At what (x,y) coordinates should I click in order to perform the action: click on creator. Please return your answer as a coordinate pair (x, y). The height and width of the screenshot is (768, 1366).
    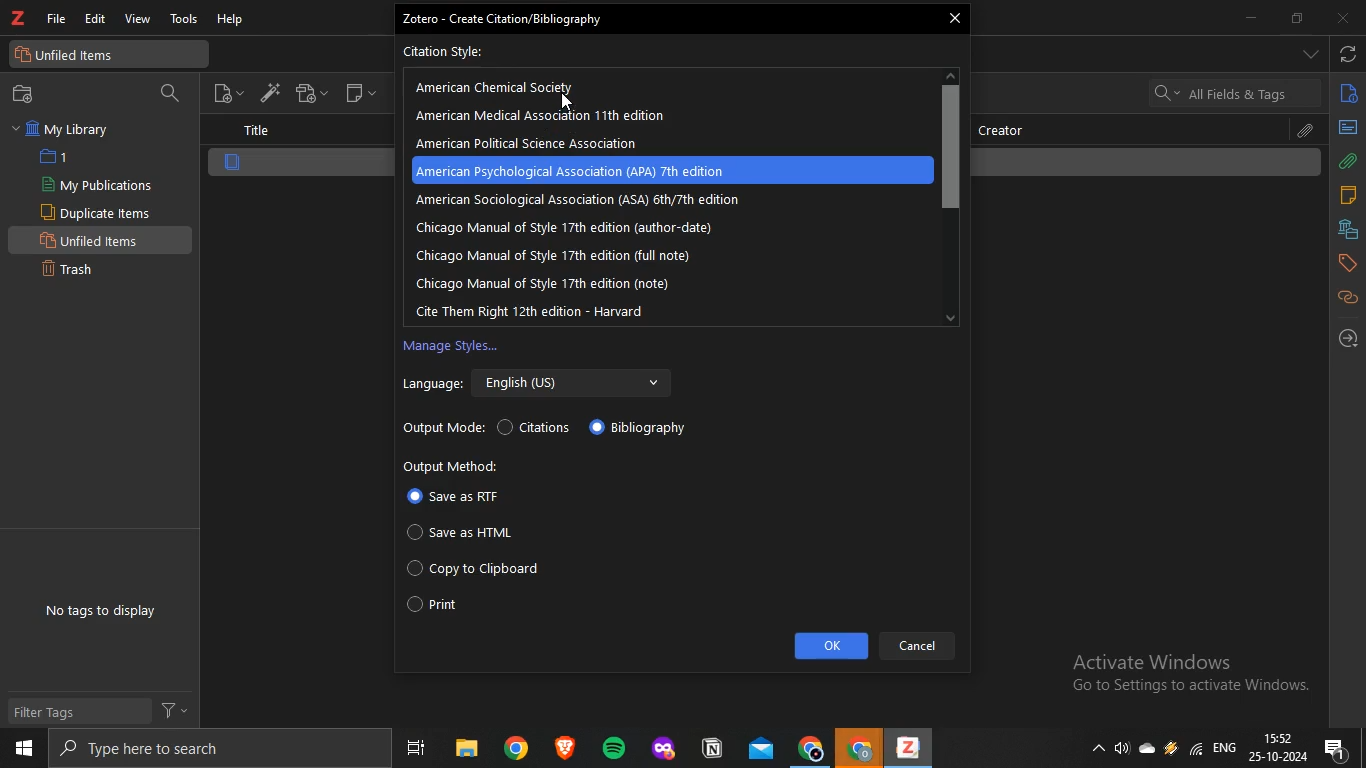
    Looking at the image, I should click on (1009, 129).